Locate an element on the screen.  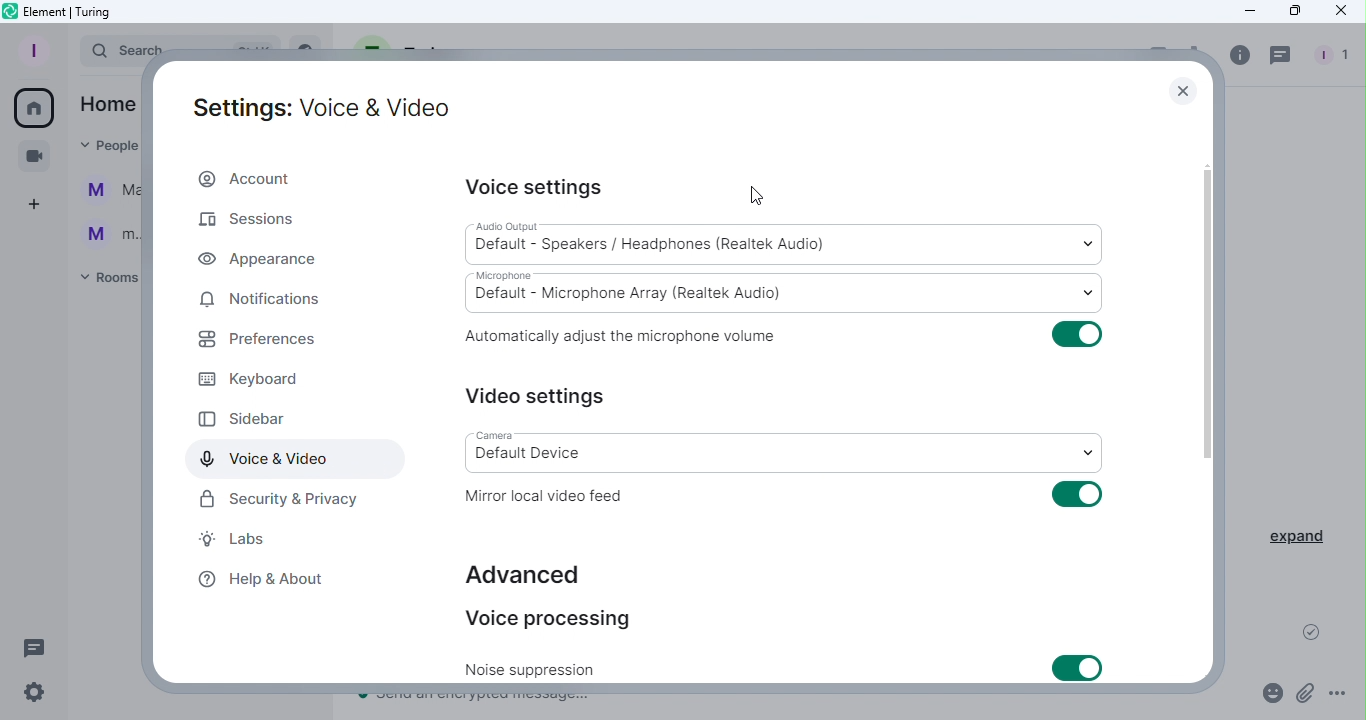
More options is located at coordinates (1341, 697).